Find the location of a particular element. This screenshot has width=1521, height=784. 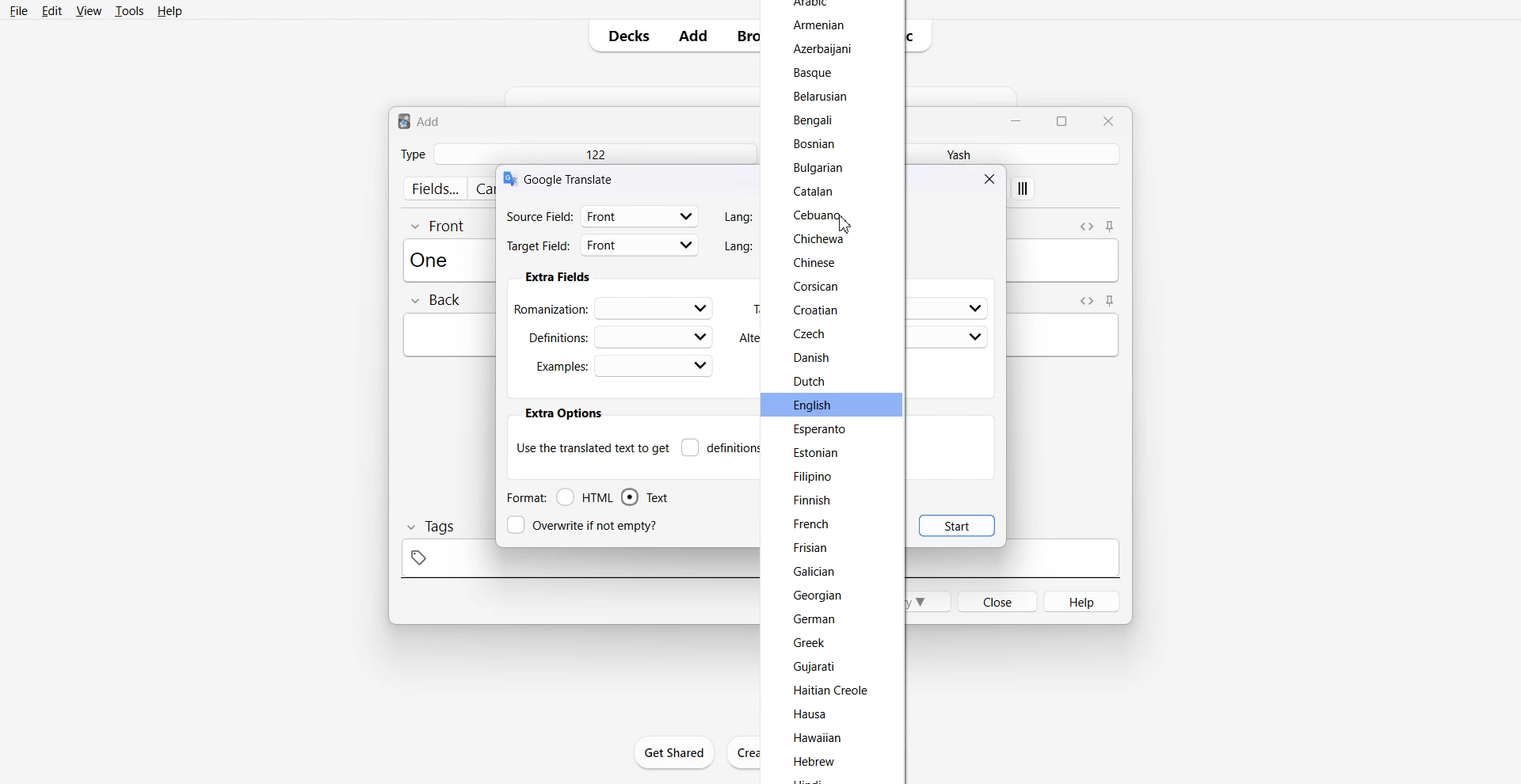

logo is located at coordinates (509, 179).